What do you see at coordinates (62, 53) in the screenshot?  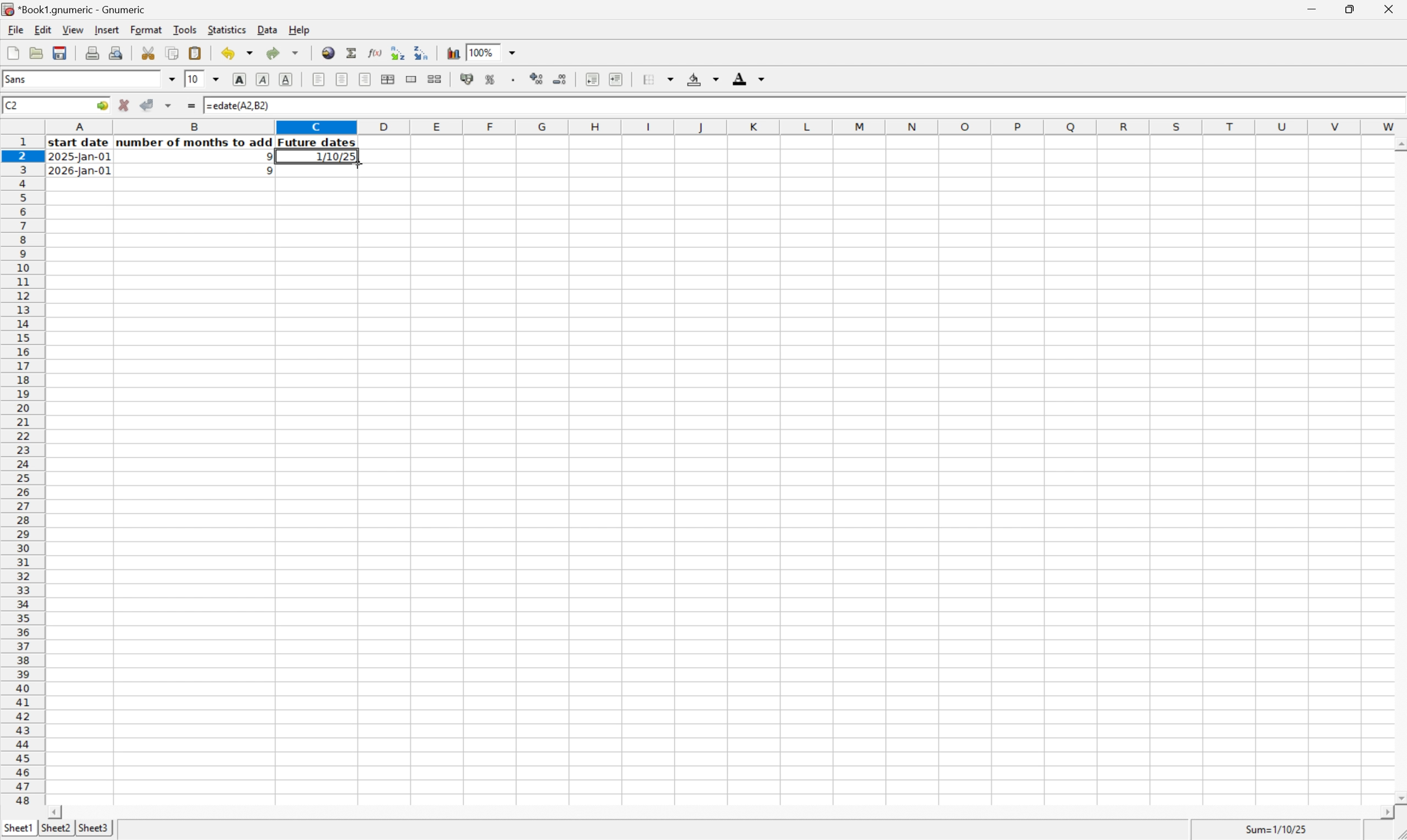 I see `Save a current workbook` at bounding box center [62, 53].